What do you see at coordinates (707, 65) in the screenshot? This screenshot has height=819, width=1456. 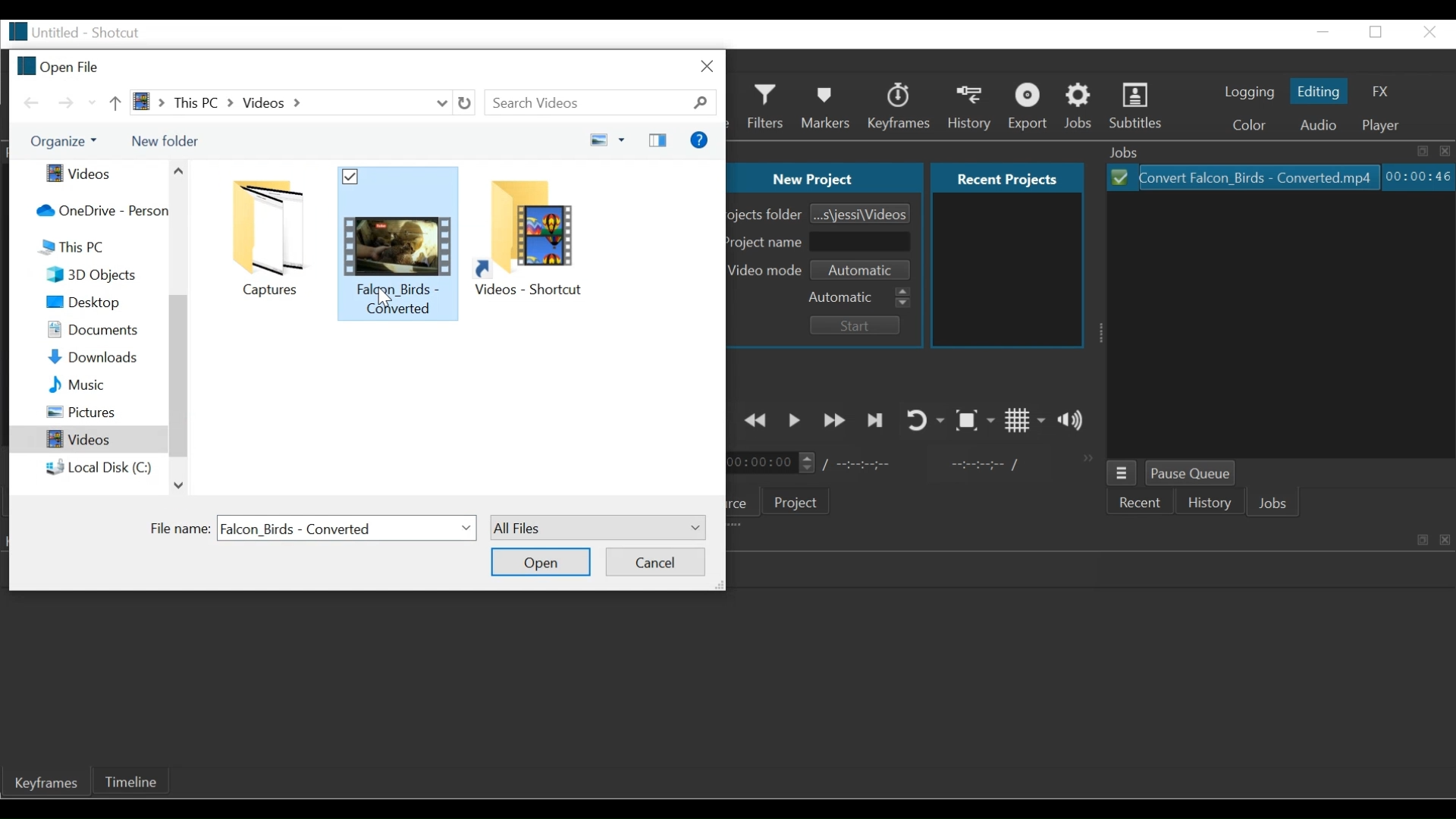 I see `Close` at bounding box center [707, 65].